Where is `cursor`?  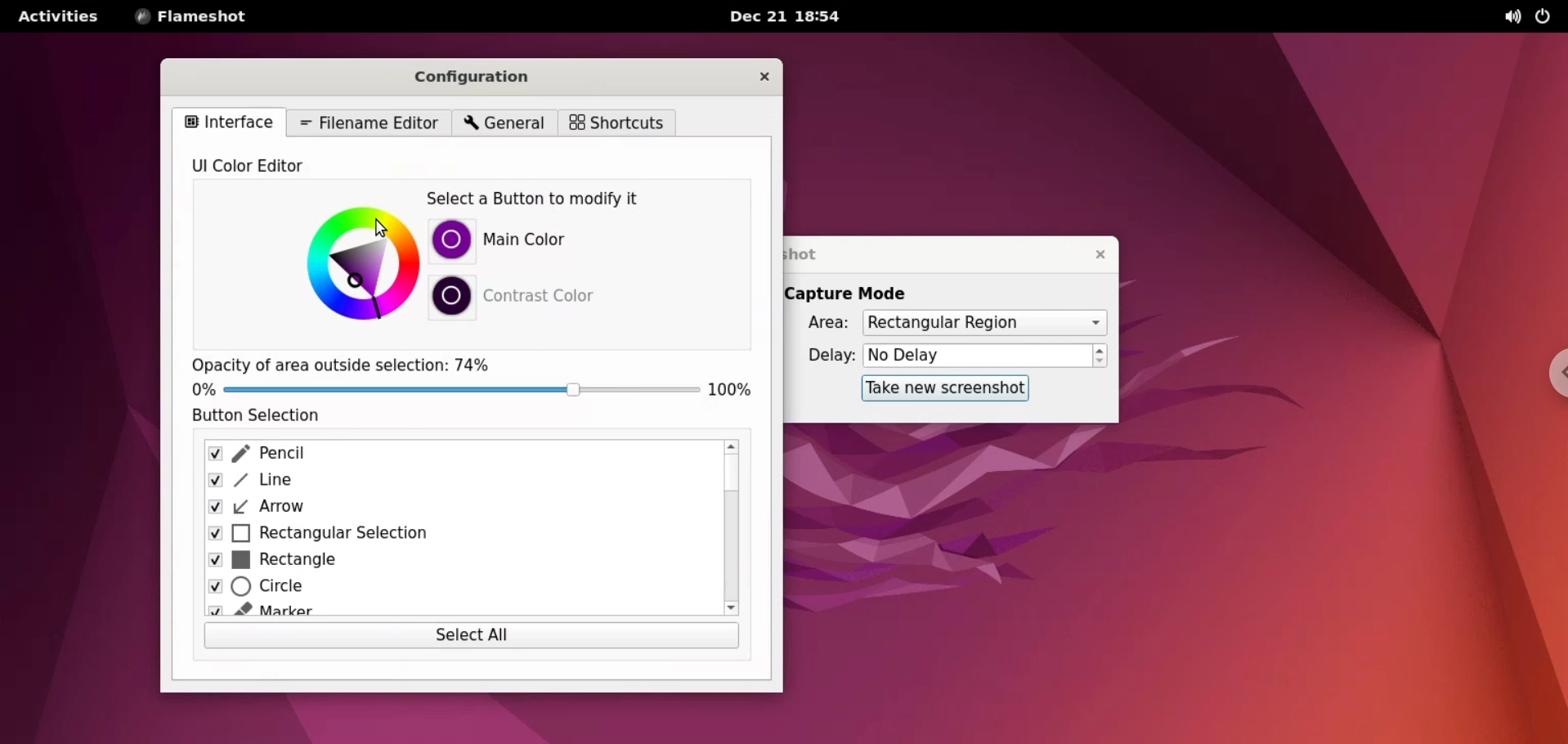 cursor is located at coordinates (386, 227).